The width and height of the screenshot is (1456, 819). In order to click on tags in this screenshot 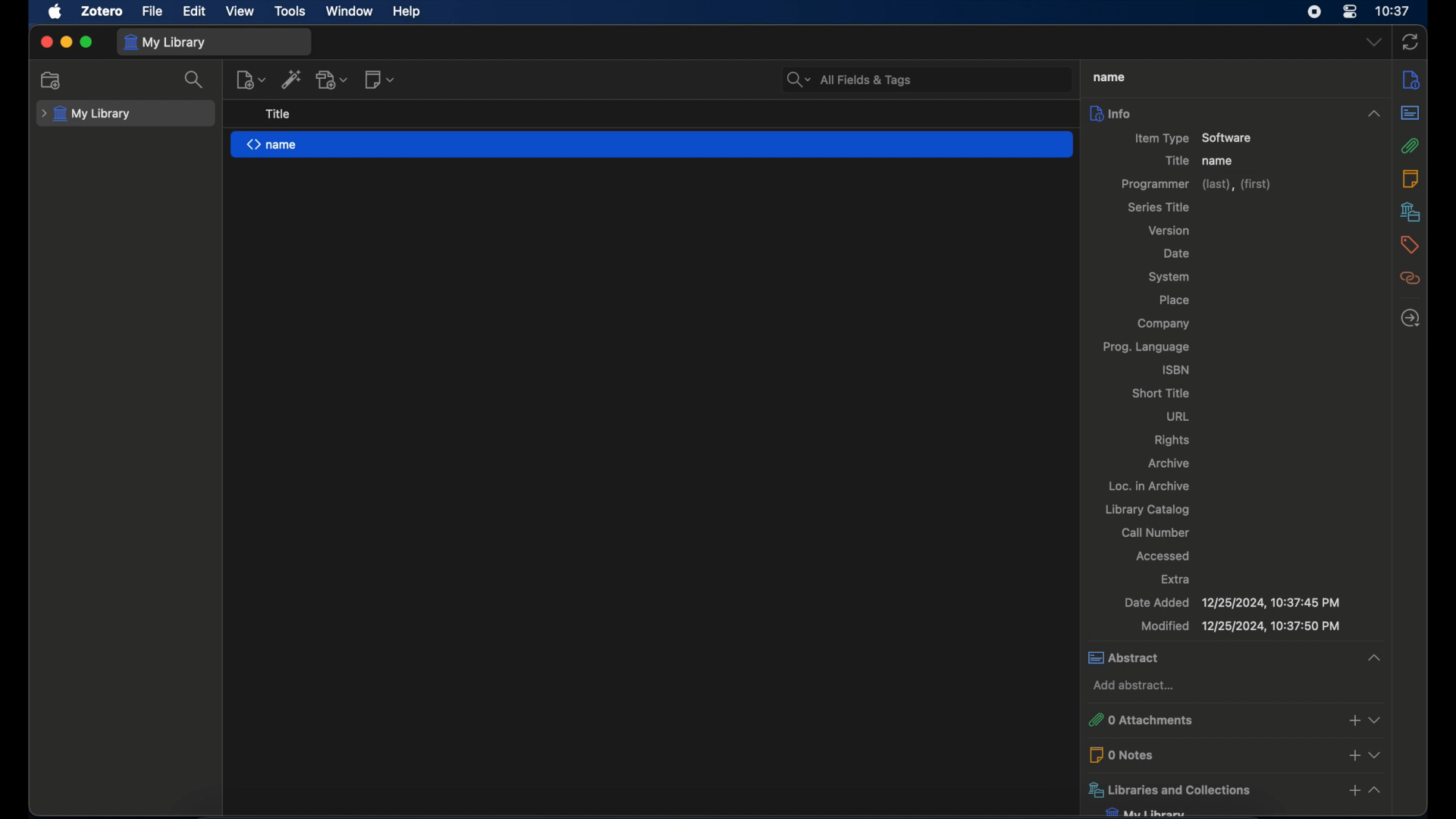, I will do `click(1410, 245)`.